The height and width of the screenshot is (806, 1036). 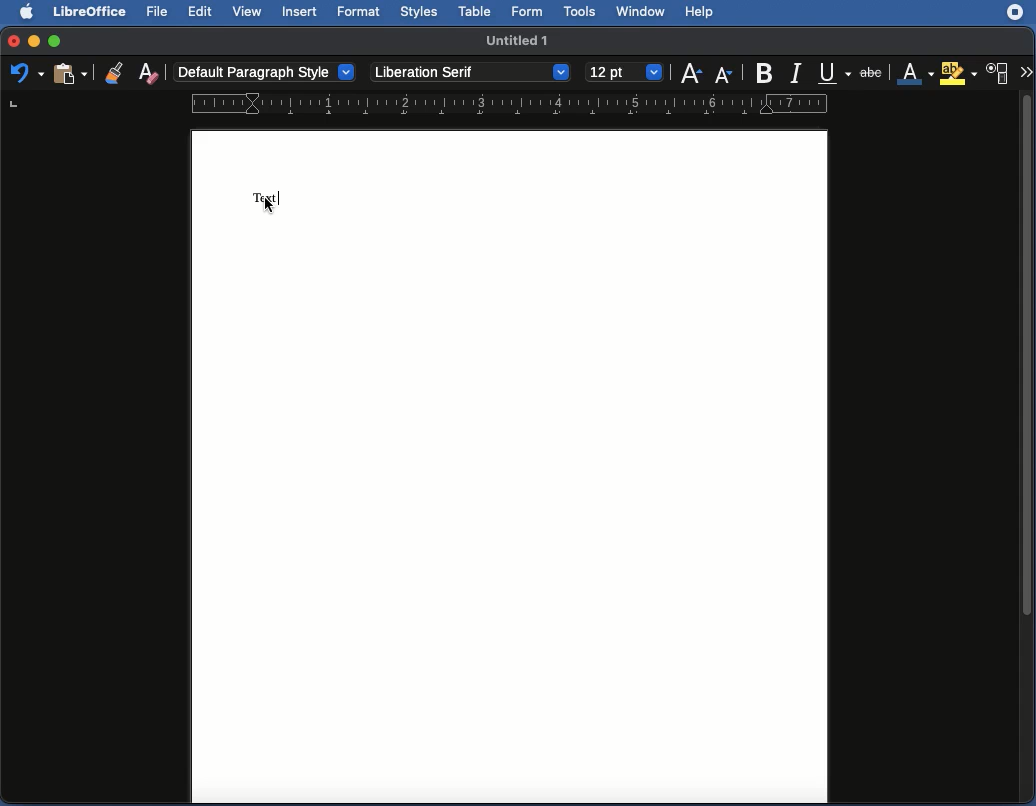 What do you see at coordinates (580, 13) in the screenshot?
I see `Tools` at bounding box center [580, 13].